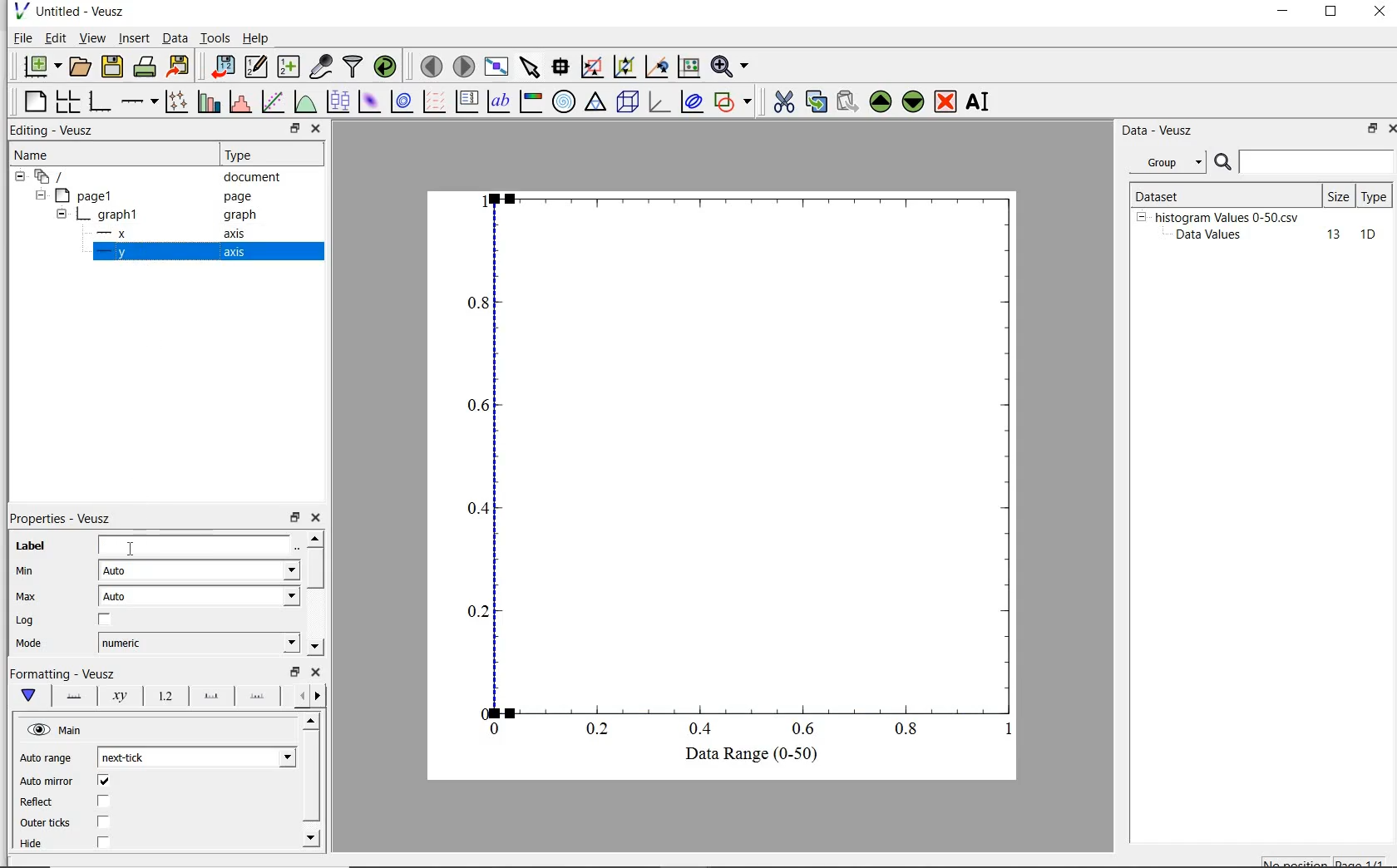  I want to click on document, so click(253, 179).